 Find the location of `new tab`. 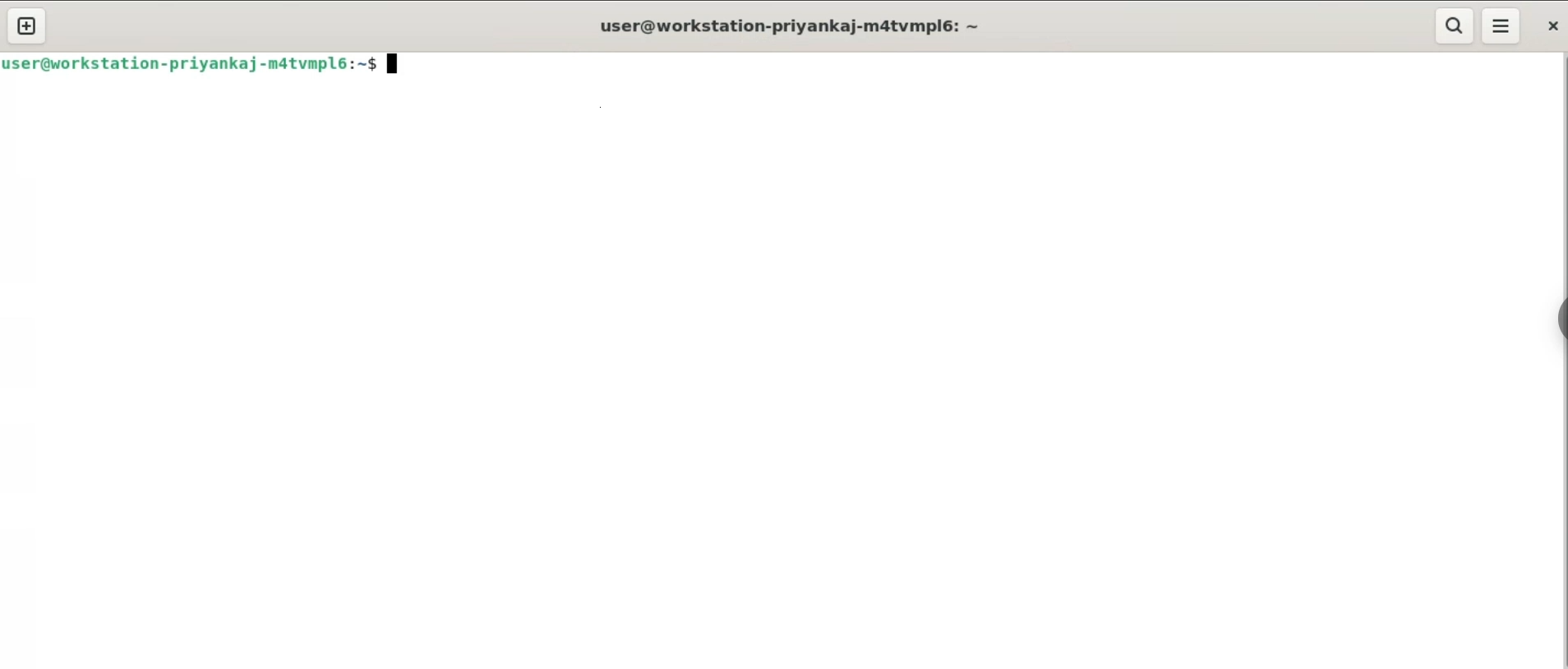

new tab is located at coordinates (28, 26).